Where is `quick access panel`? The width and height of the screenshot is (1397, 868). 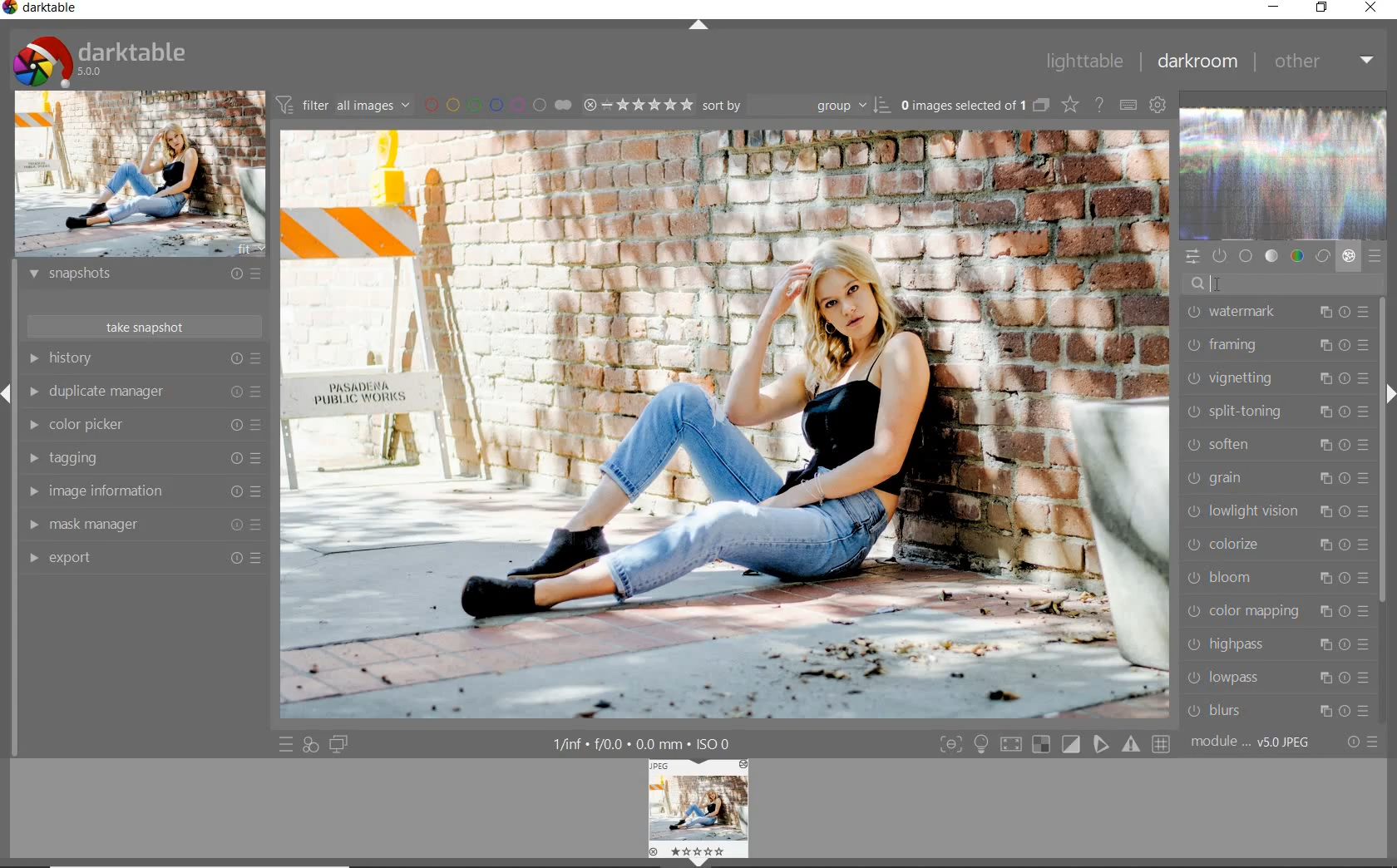 quick access panel is located at coordinates (1192, 255).